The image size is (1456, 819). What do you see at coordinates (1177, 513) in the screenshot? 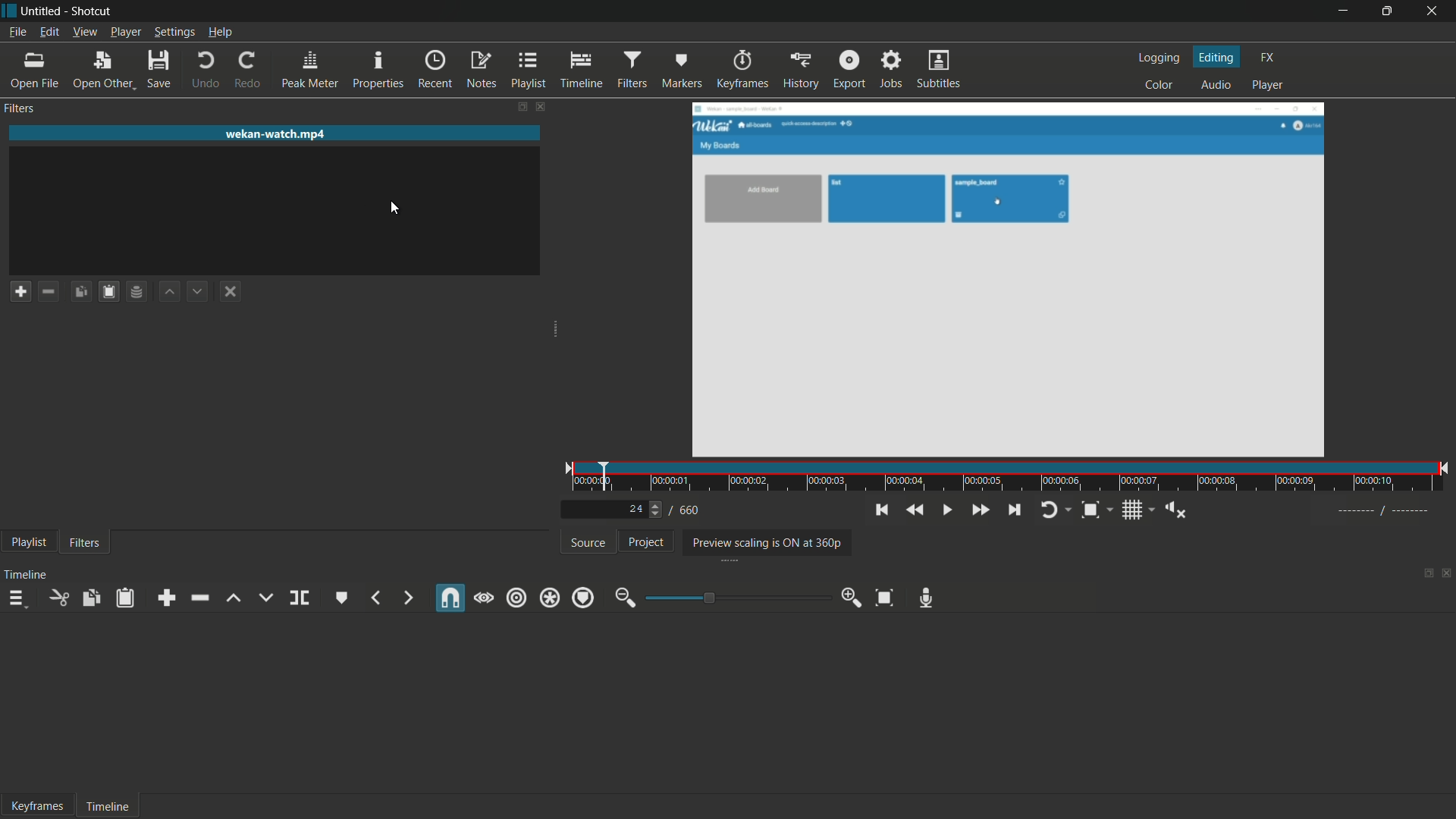
I see `` at bounding box center [1177, 513].